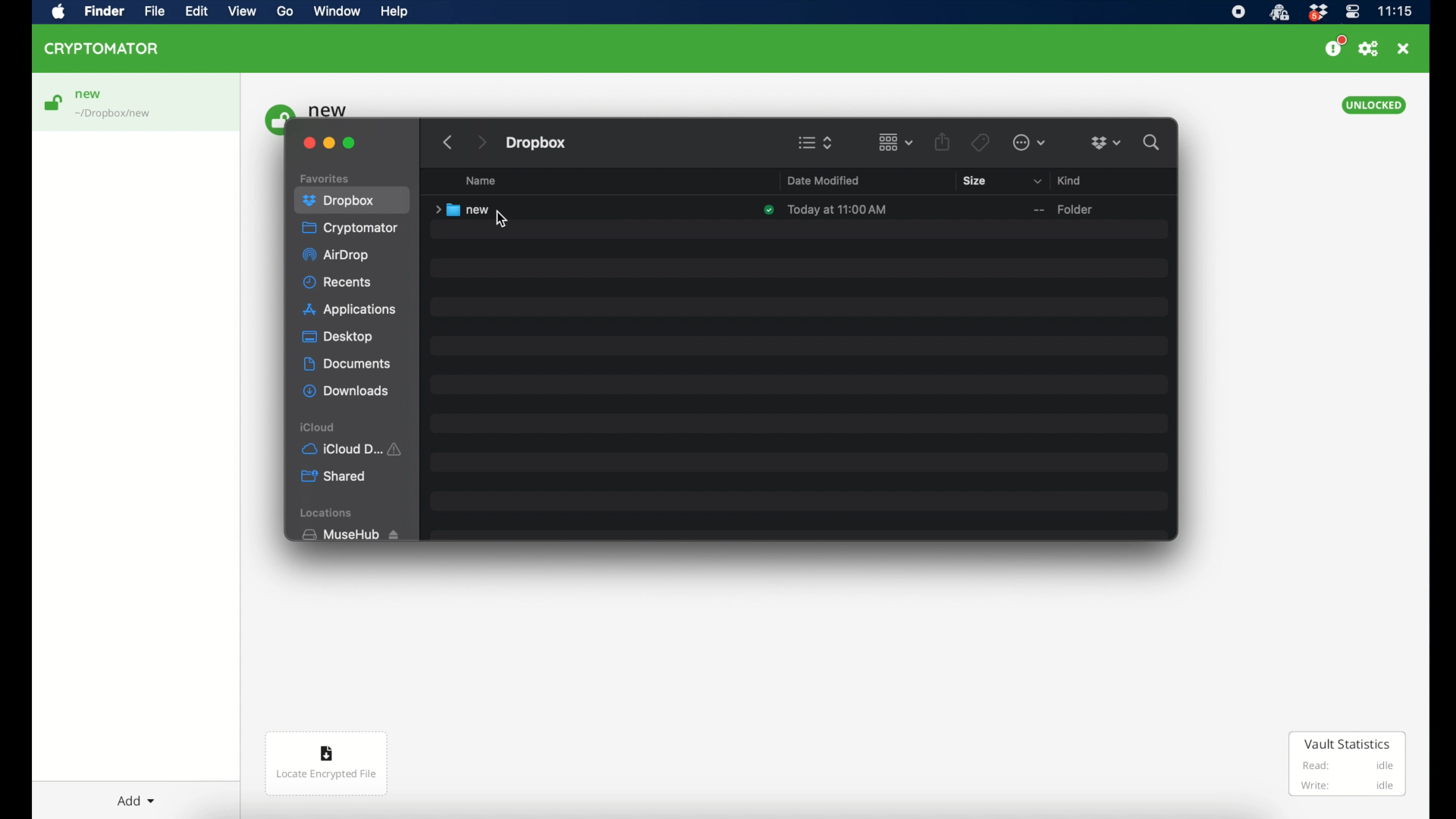  What do you see at coordinates (1101, 210) in the screenshot?
I see `rtf document` at bounding box center [1101, 210].